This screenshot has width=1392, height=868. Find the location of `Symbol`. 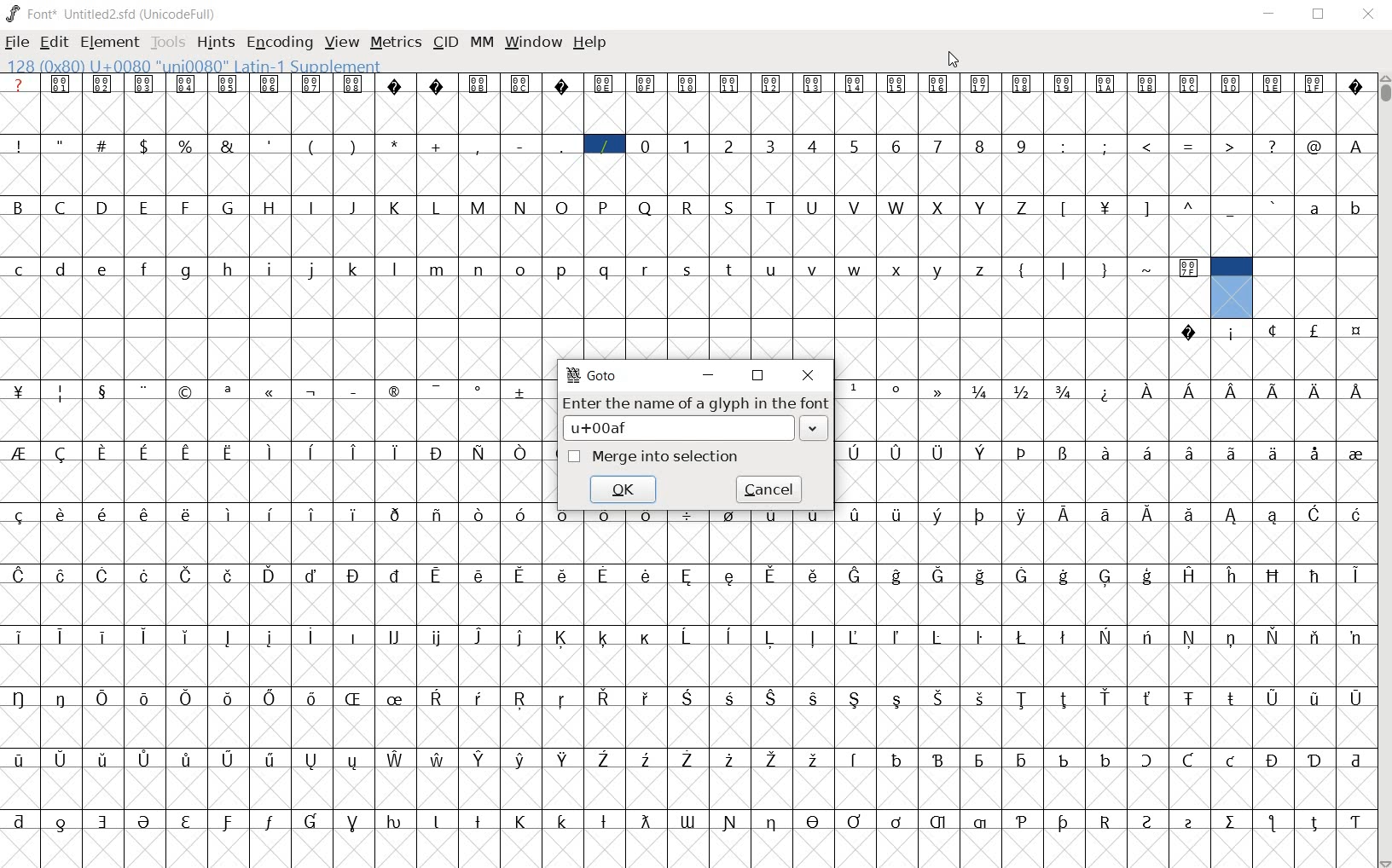

Symbol is located at coordinates (146, 758).